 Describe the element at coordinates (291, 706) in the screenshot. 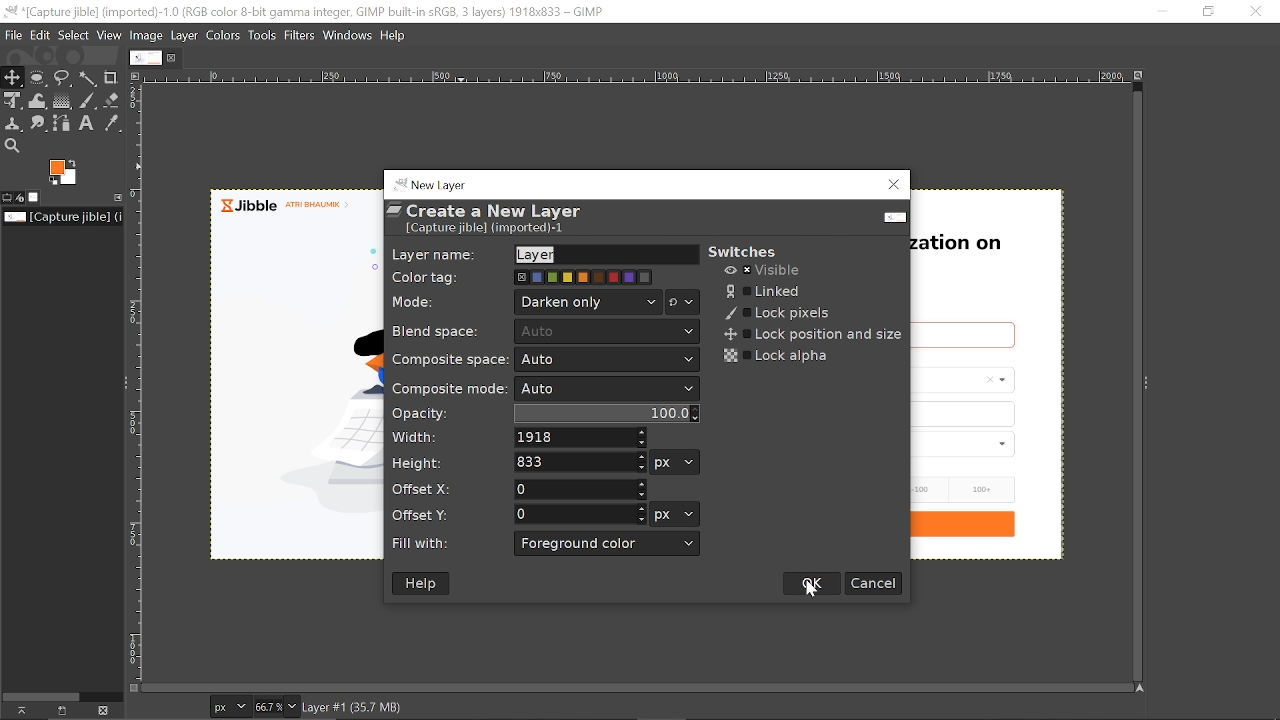

I see `Zoom options` at that location.